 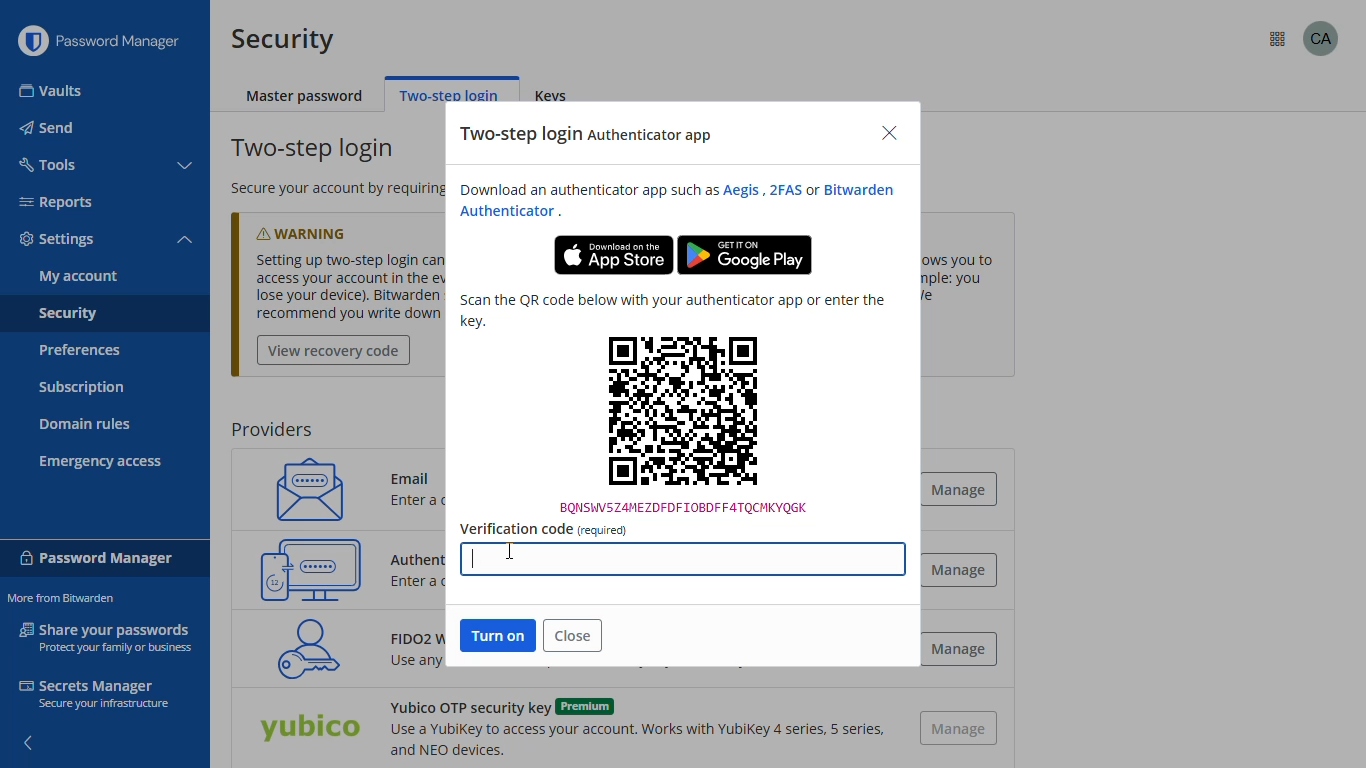 What do you see at coordinates (85, 426) in the screenshot?
I see `domain rules` at bounding box center [85, 426].